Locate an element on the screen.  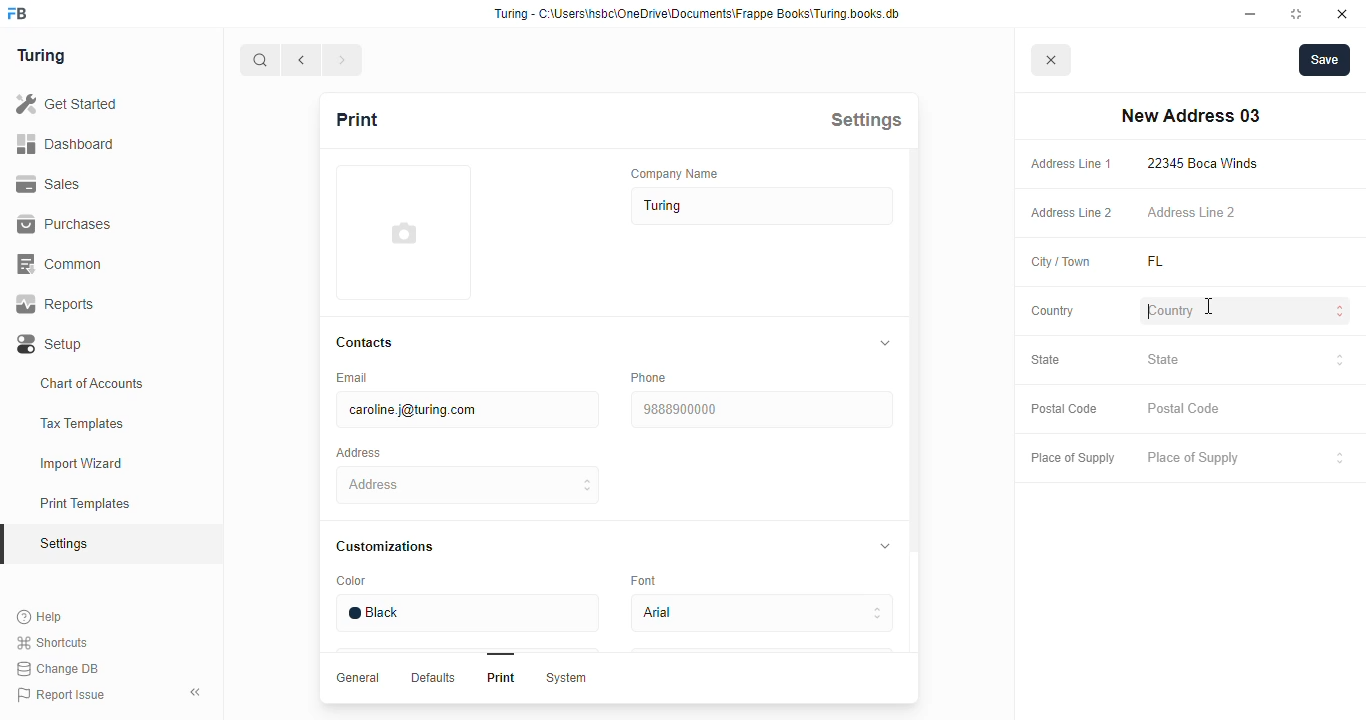
System is located at coordinates (565, 678).